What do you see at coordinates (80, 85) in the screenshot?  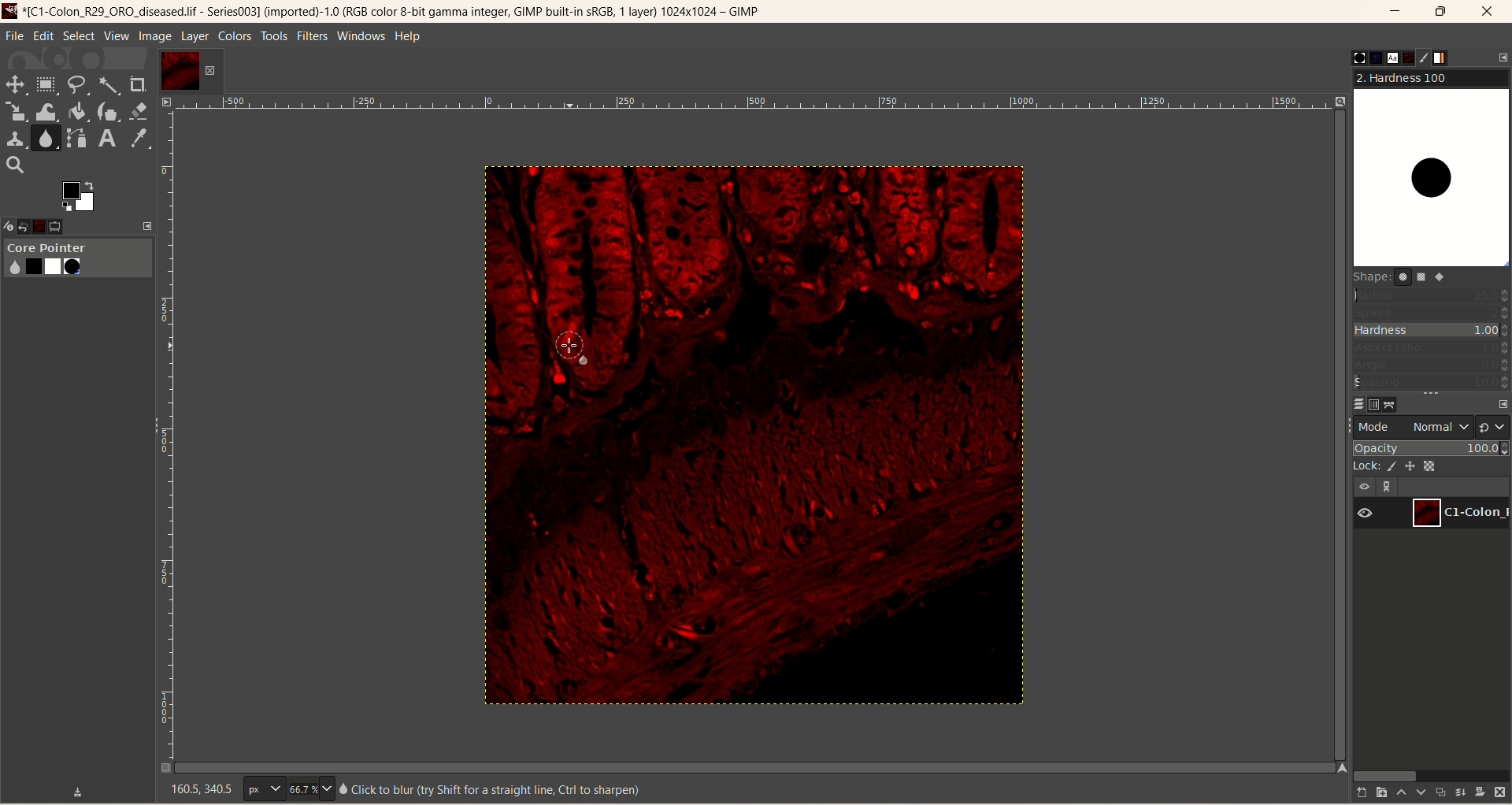 I see `free select tool` at bounding box center [80, 85].